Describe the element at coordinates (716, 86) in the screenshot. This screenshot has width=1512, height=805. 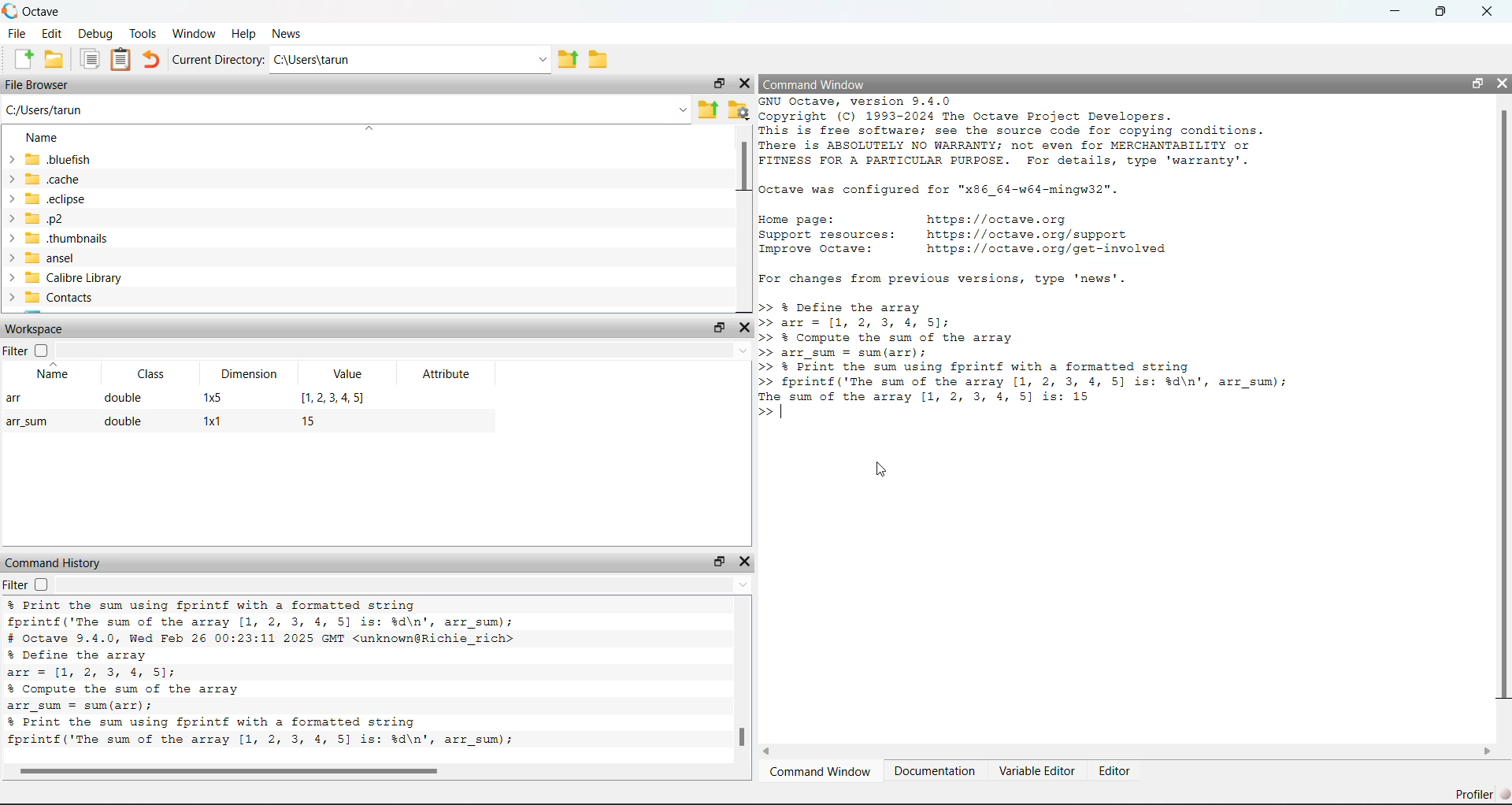
I see `Maximize` at that location.